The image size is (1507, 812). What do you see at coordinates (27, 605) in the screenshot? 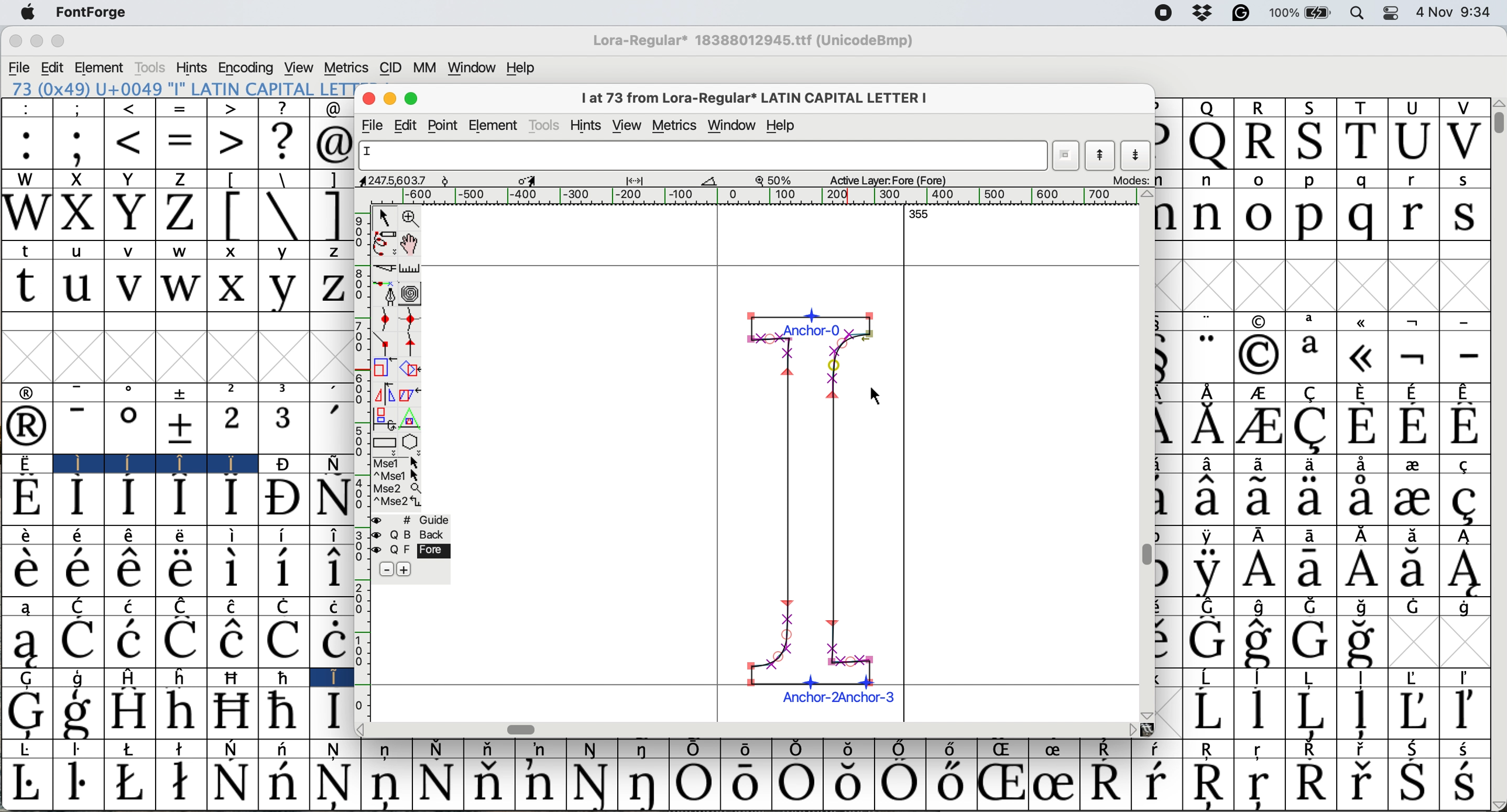
I see `a` at bounding box center [27, 605].